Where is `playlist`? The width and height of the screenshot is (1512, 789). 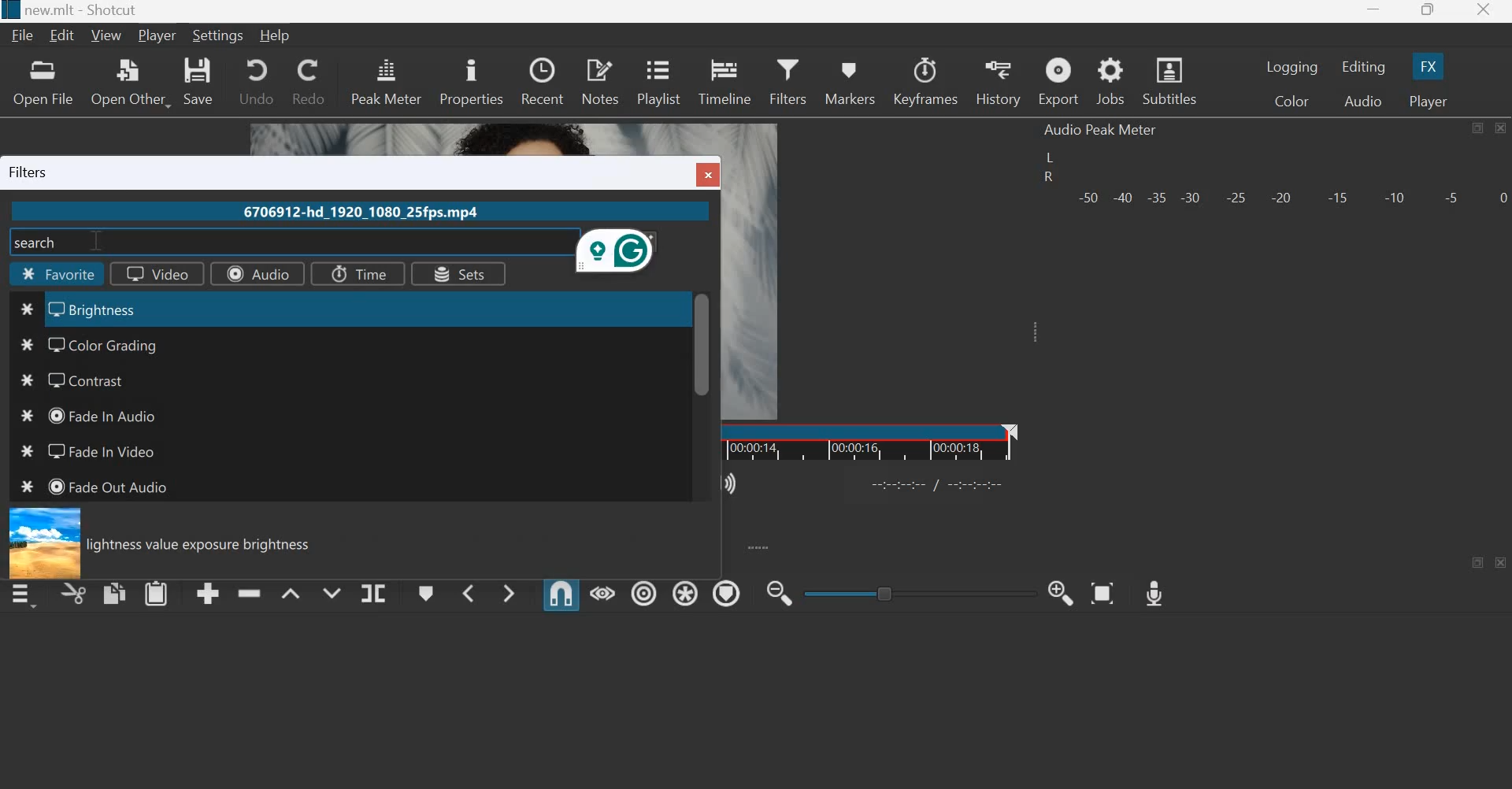 playlist is located at coordinates (658, 80).